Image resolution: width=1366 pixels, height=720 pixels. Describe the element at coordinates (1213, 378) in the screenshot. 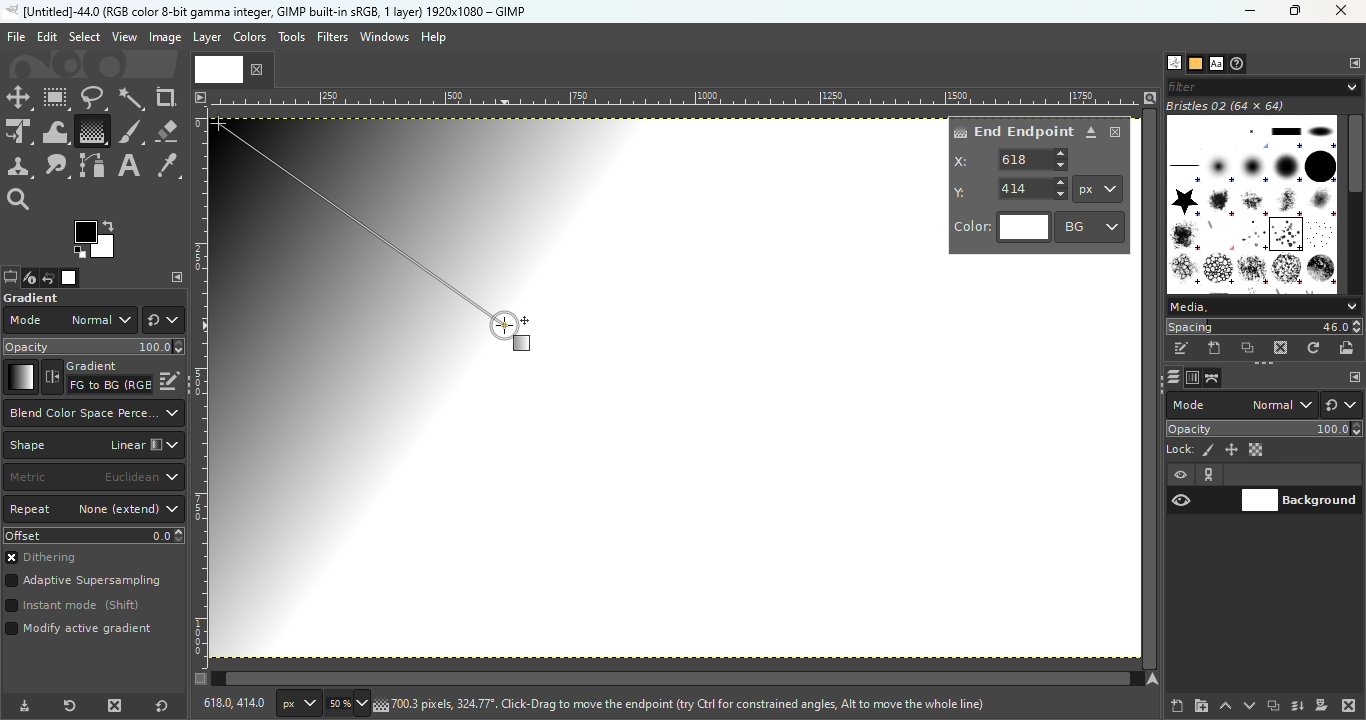

I see `Open the paths dialog` at that location.